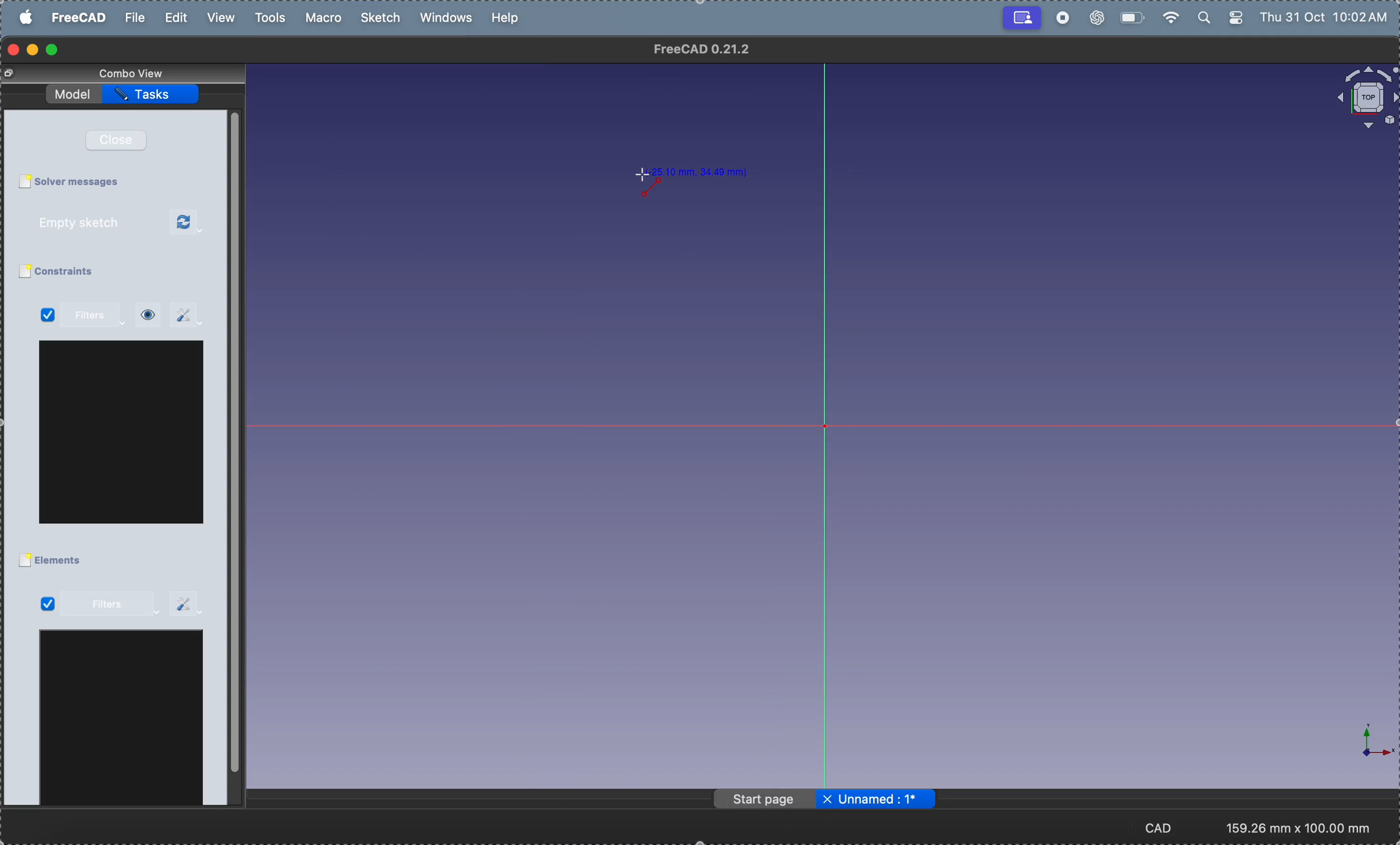  Describe the element at coordinates (135, 73) in the screenshot. I see `combo view` at that location.